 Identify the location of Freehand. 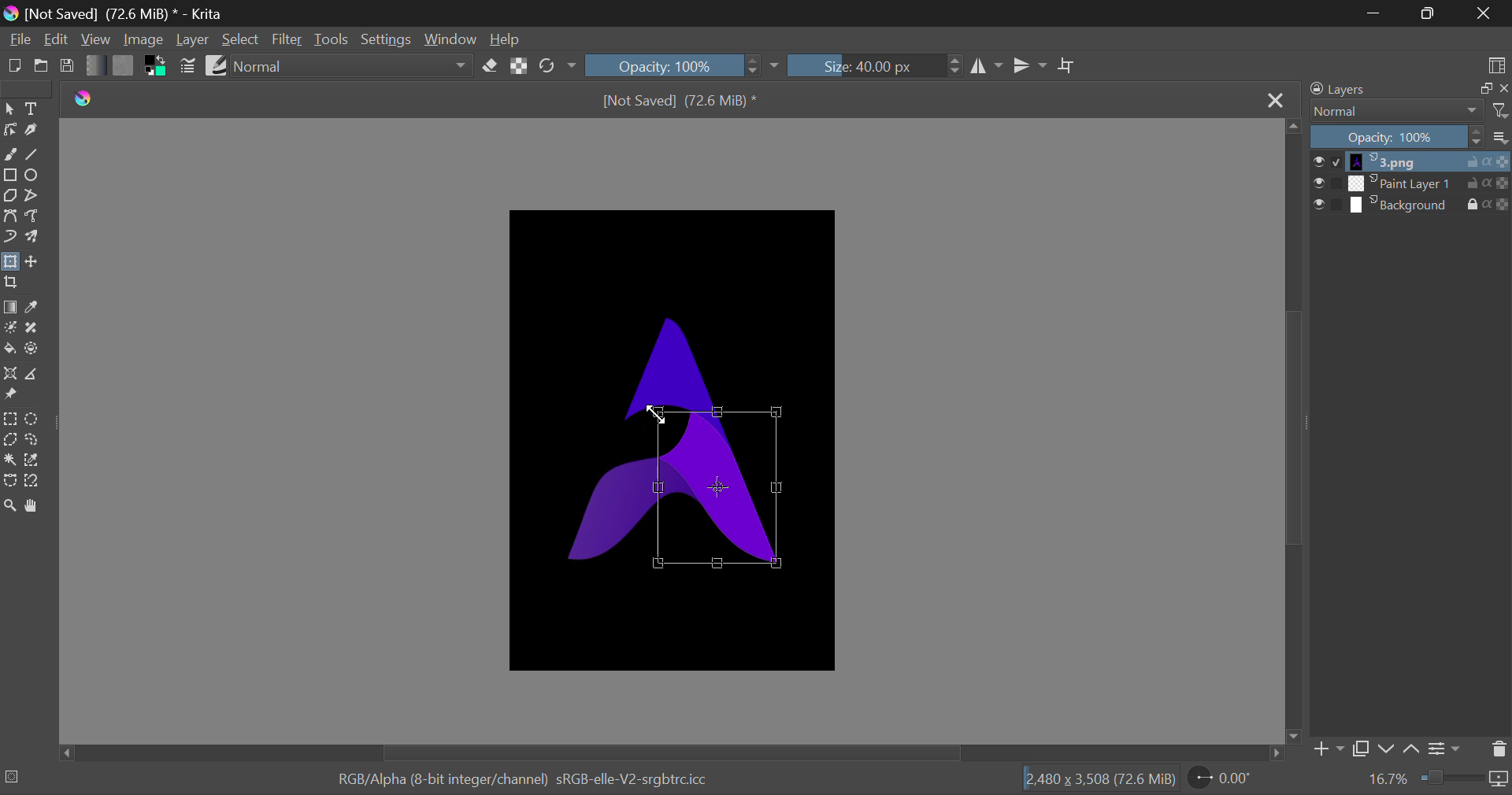
(10, 152).